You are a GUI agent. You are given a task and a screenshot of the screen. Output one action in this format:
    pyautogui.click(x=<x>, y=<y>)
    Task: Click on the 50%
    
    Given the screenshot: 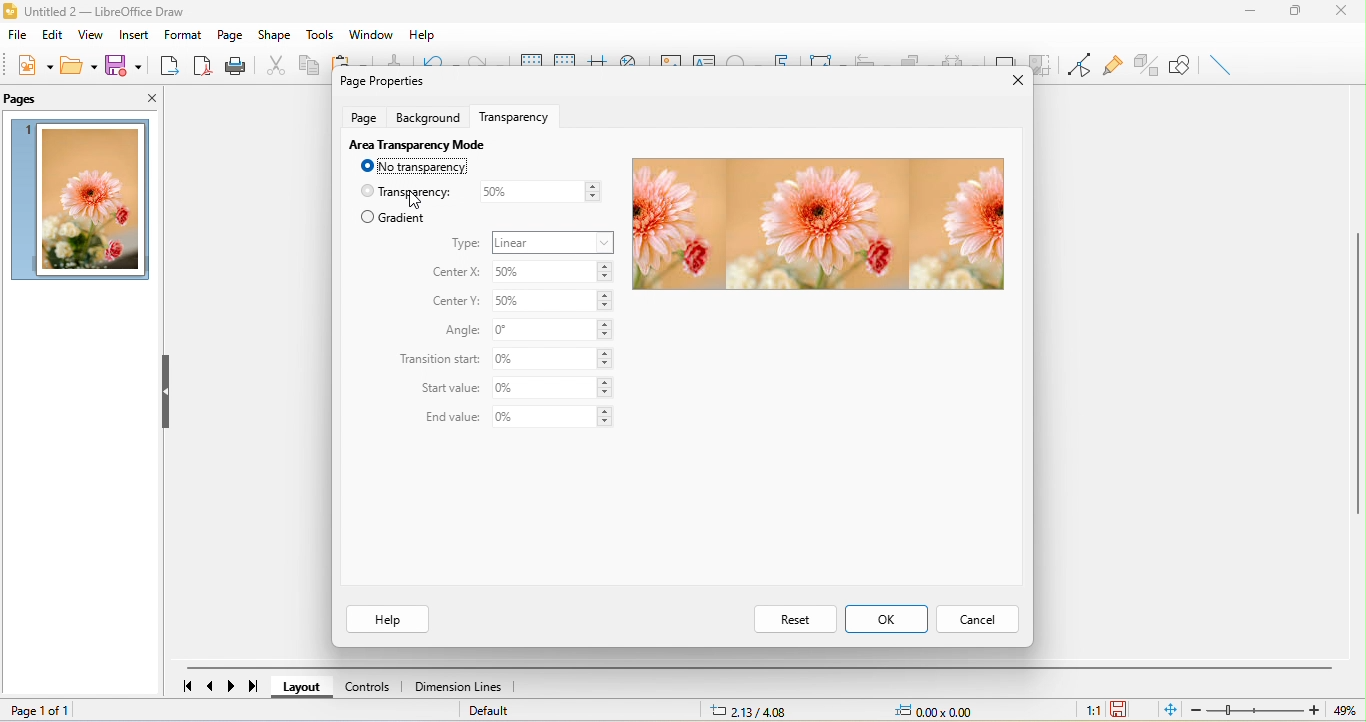 What is the action you would take?
    pyautogui.click(x=552, y=304)
    